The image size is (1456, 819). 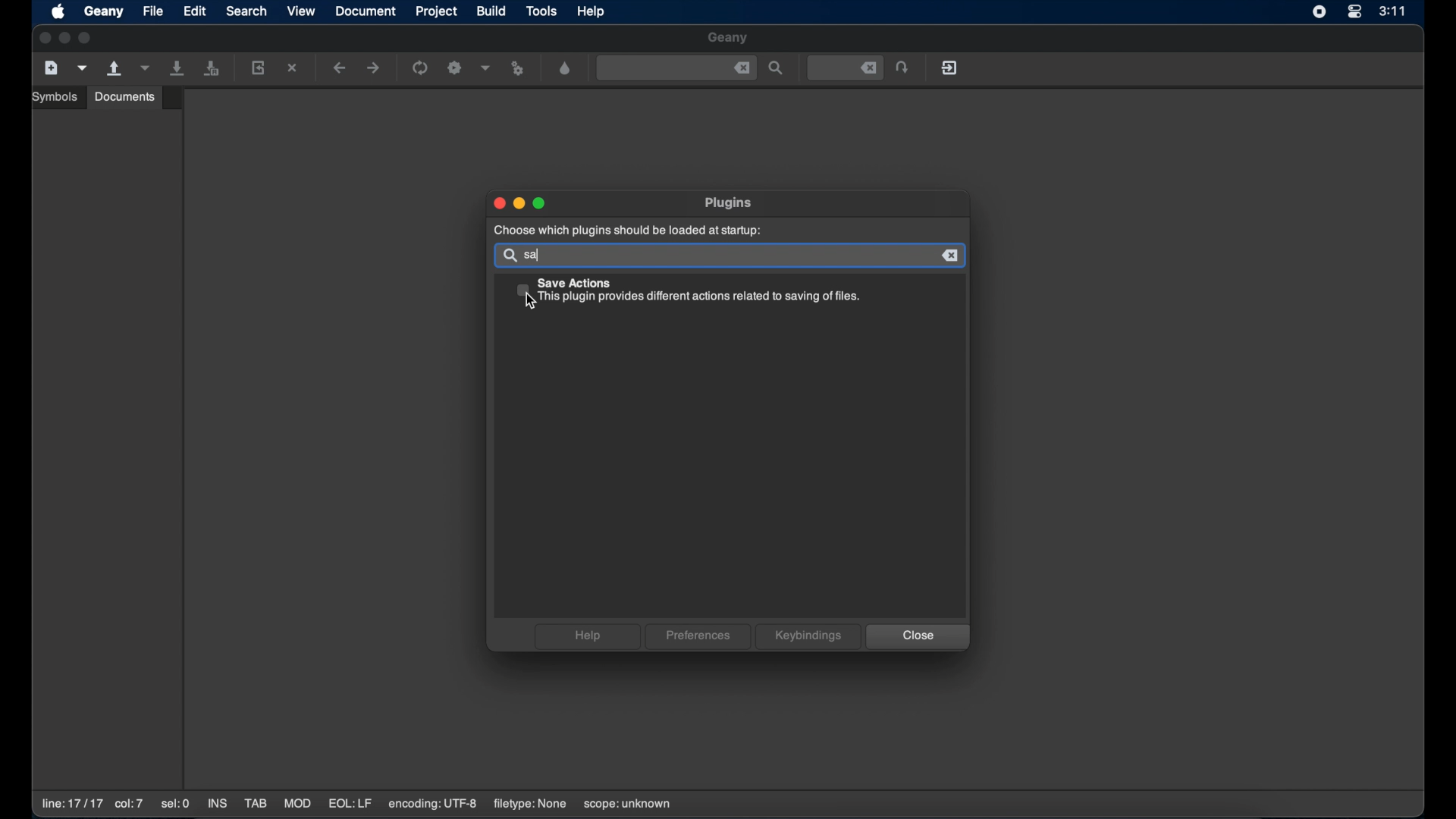 What do you see at coordinates (492, 11) in the screenshot?
I see `build` at bounding box center [492, 11].